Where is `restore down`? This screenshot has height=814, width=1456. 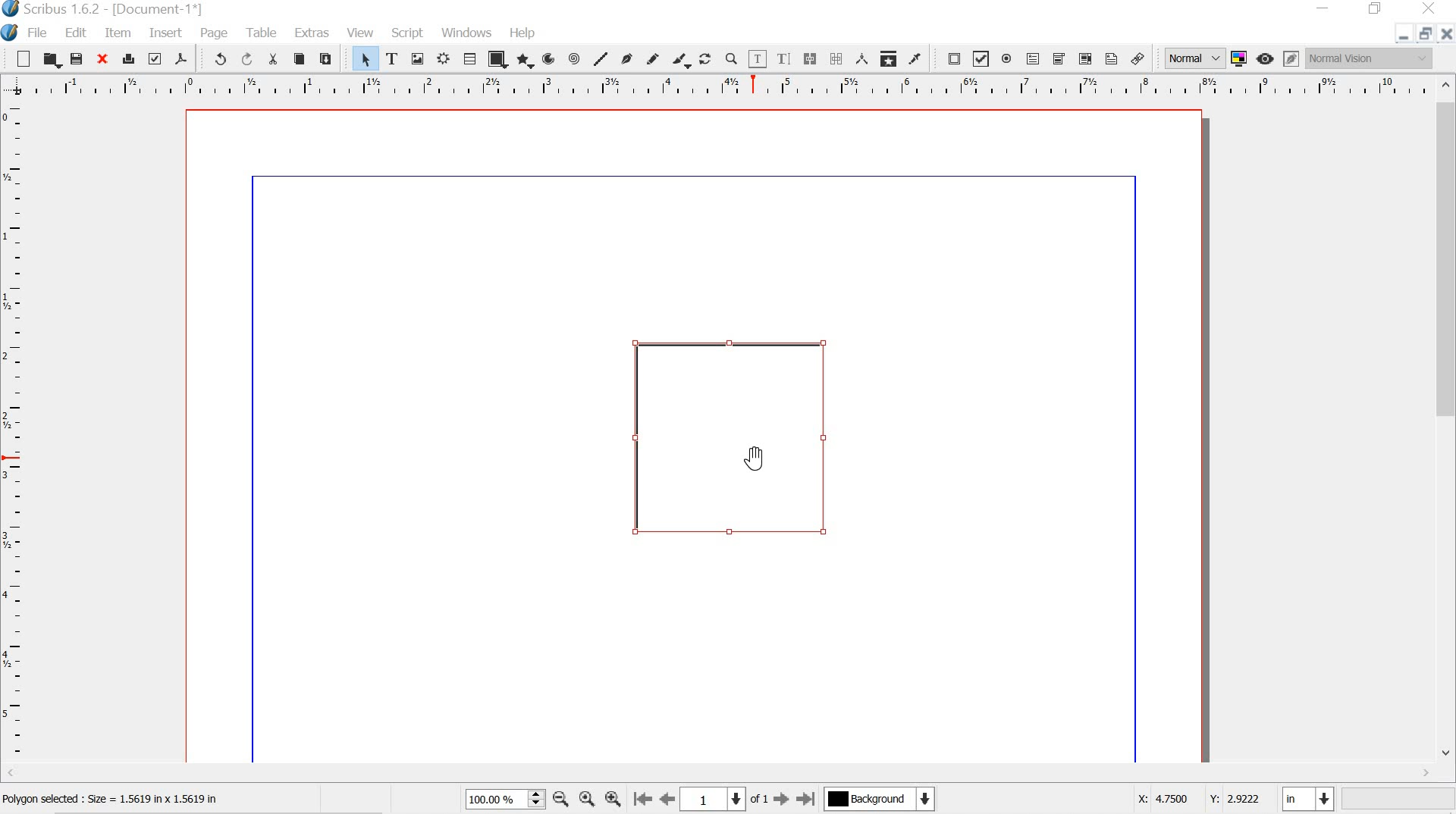 restore down is located at coordinates (1423, 33).